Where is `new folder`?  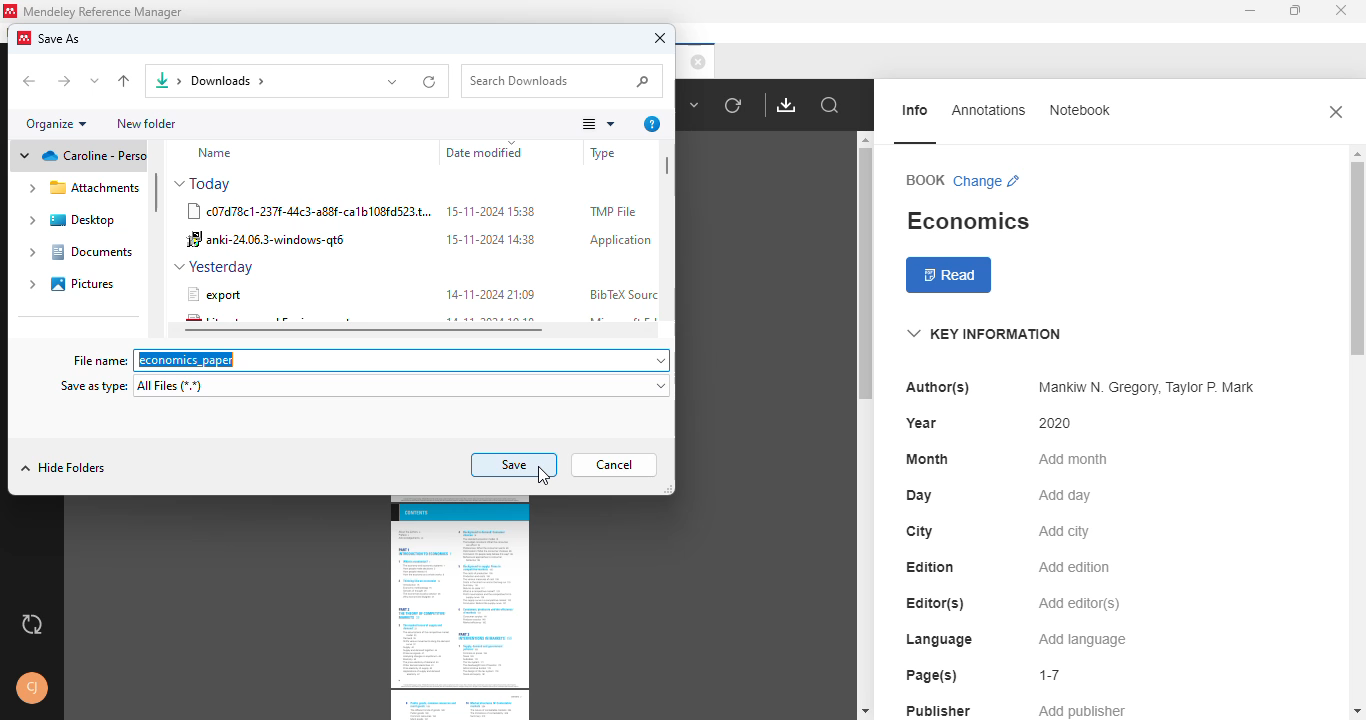
new folder is located at coordinates (149, 124).